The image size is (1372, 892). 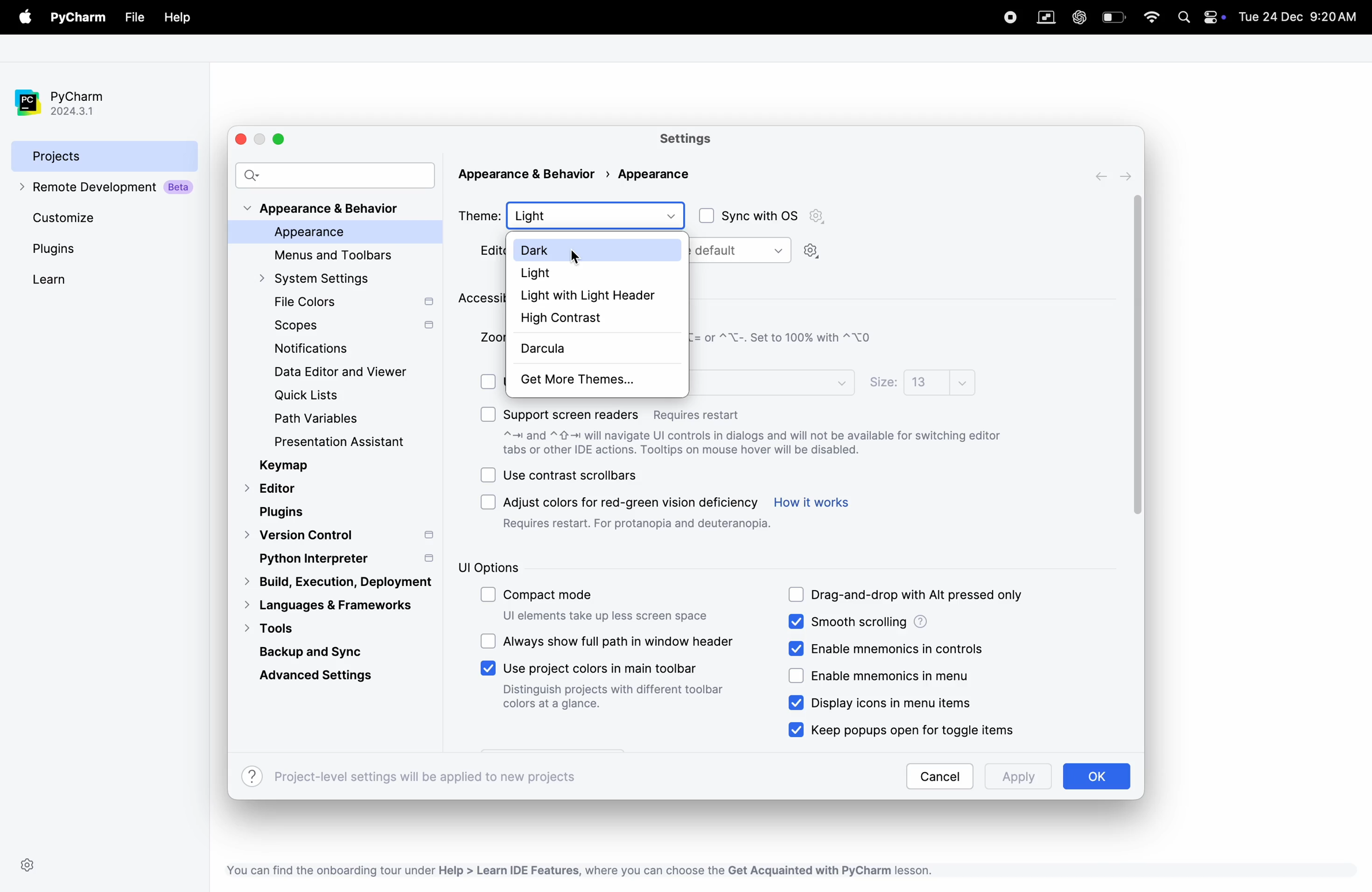 What do you see at coordinates (772, 381) in the screenshot?
I see `inter` at bounding box center [772, 381].